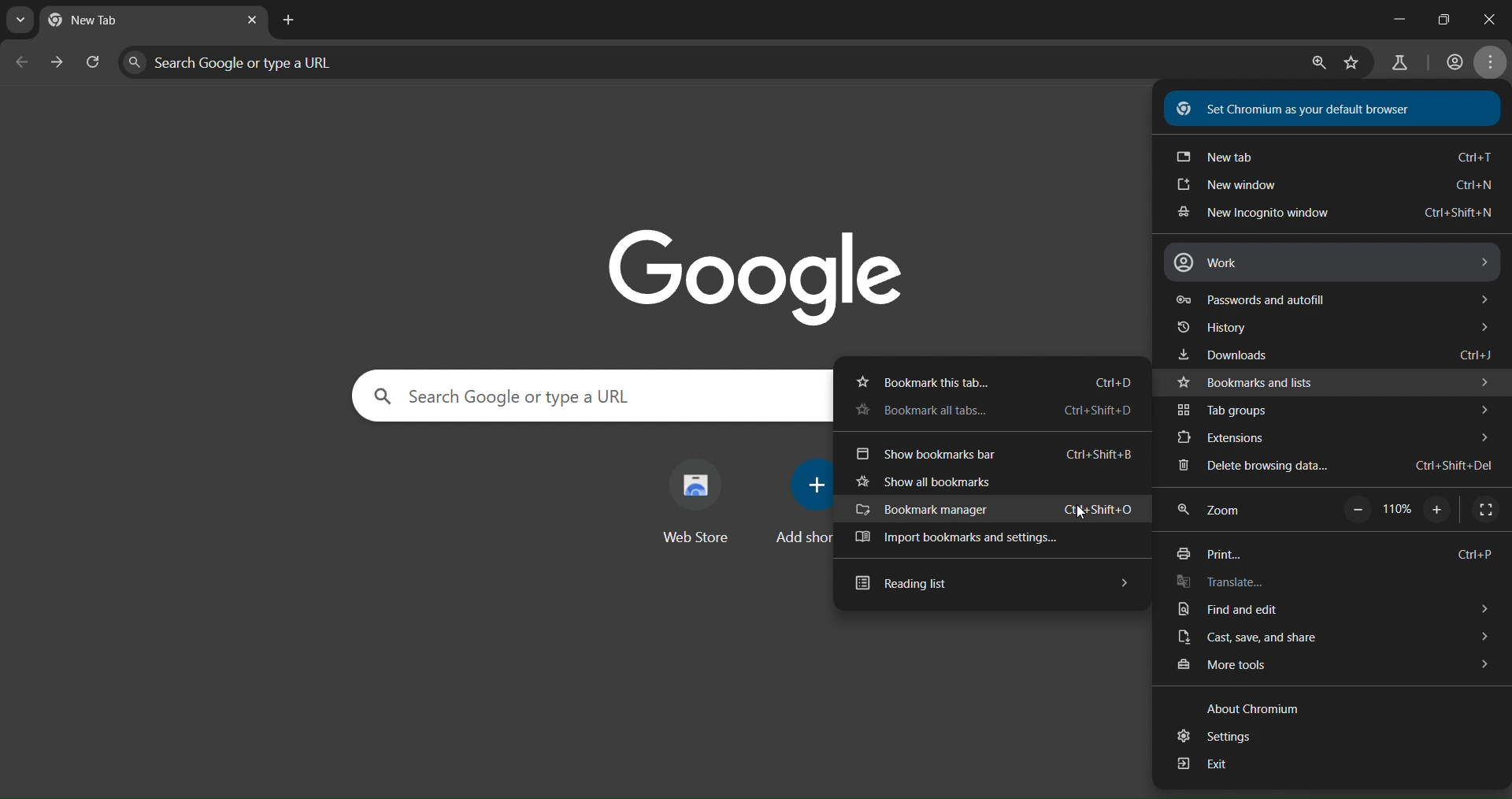  Describe the element at coordinates (1259, 711) in the screenshot. I see `About Chromium` at that location.